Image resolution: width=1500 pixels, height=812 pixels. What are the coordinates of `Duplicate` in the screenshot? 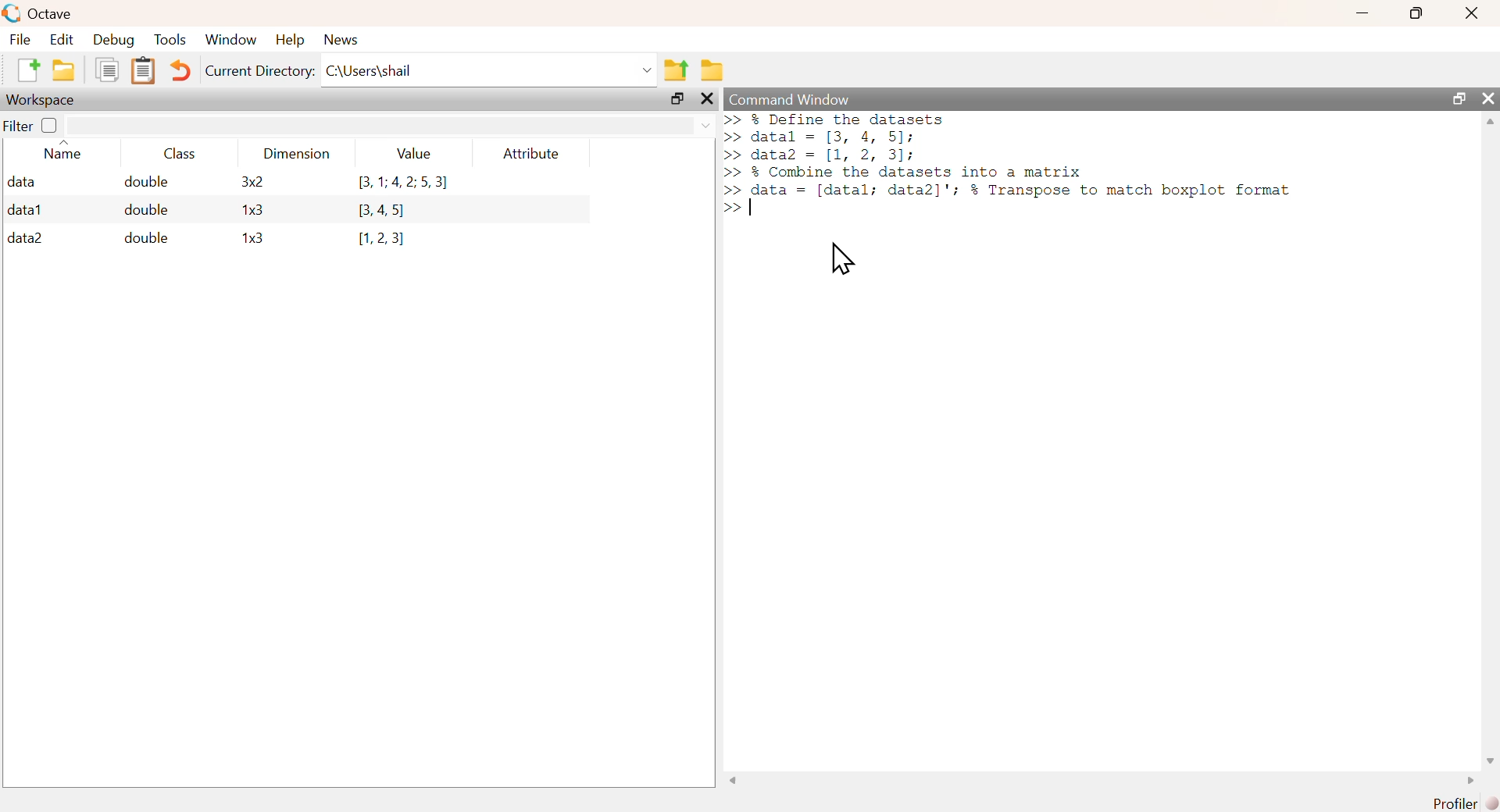 It's located at (106, 69).